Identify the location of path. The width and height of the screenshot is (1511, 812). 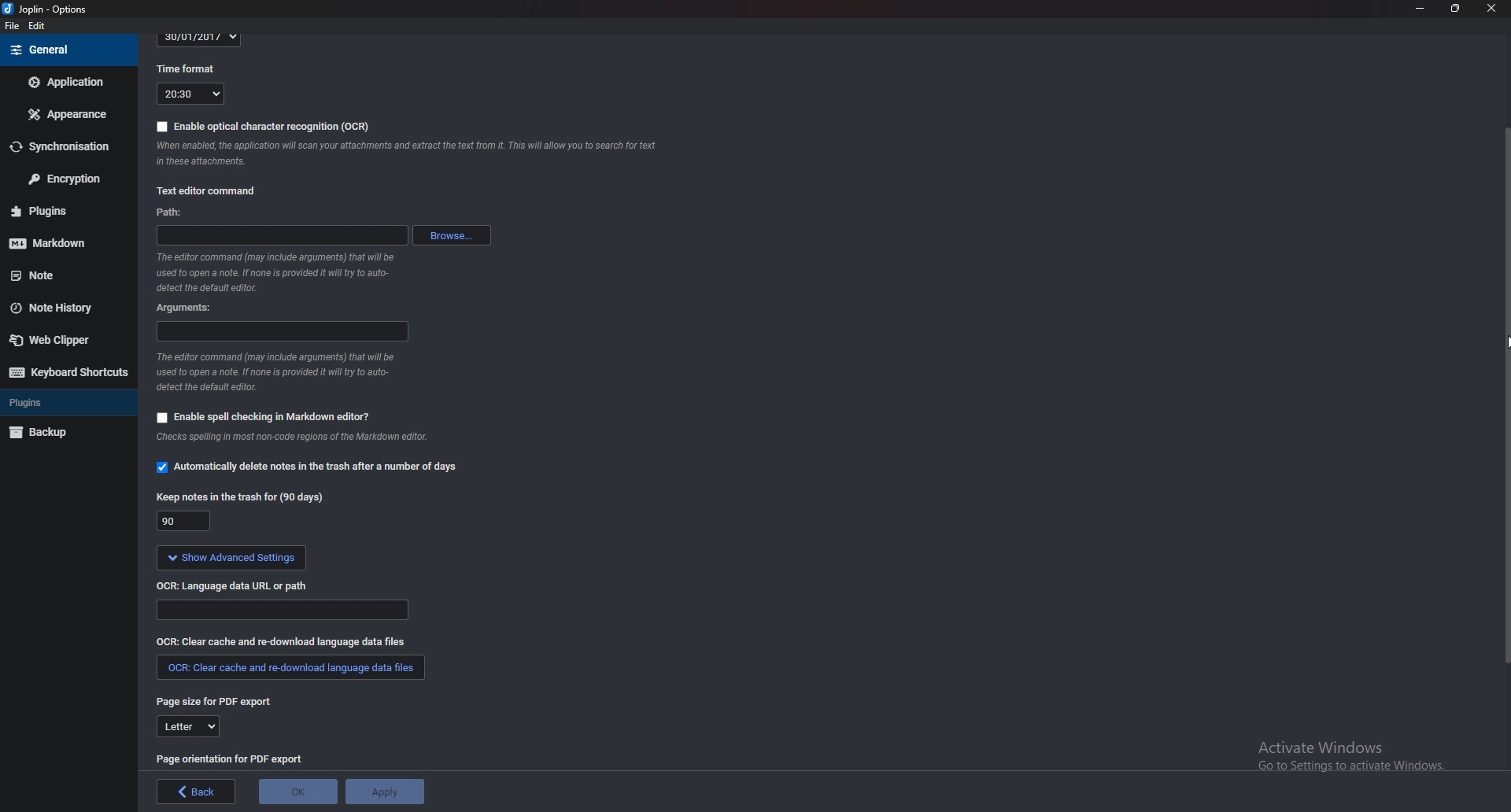
(185, 214).